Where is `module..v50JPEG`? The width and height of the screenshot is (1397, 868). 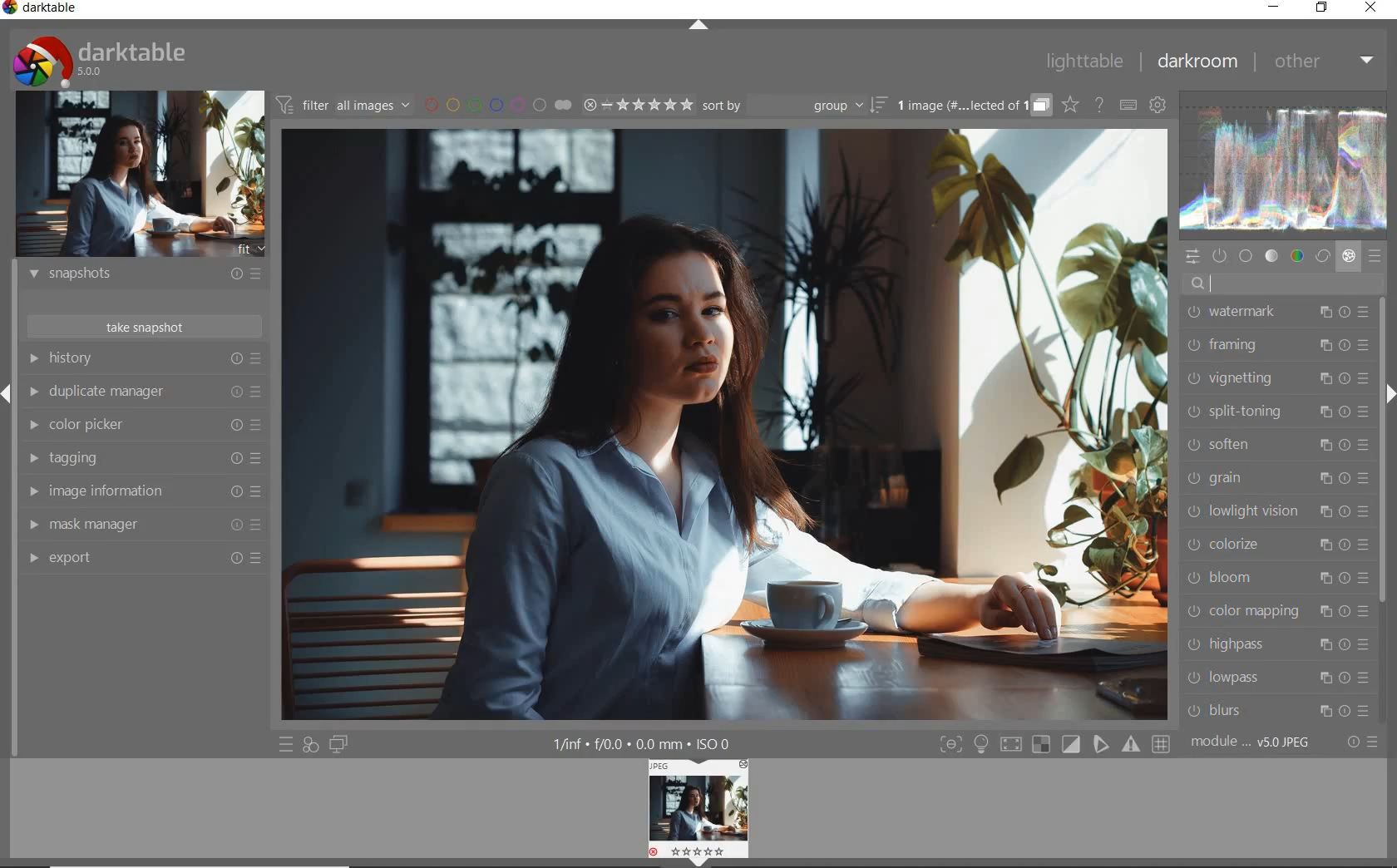 module..v50JPEG is located at coordinates (1251, 742).